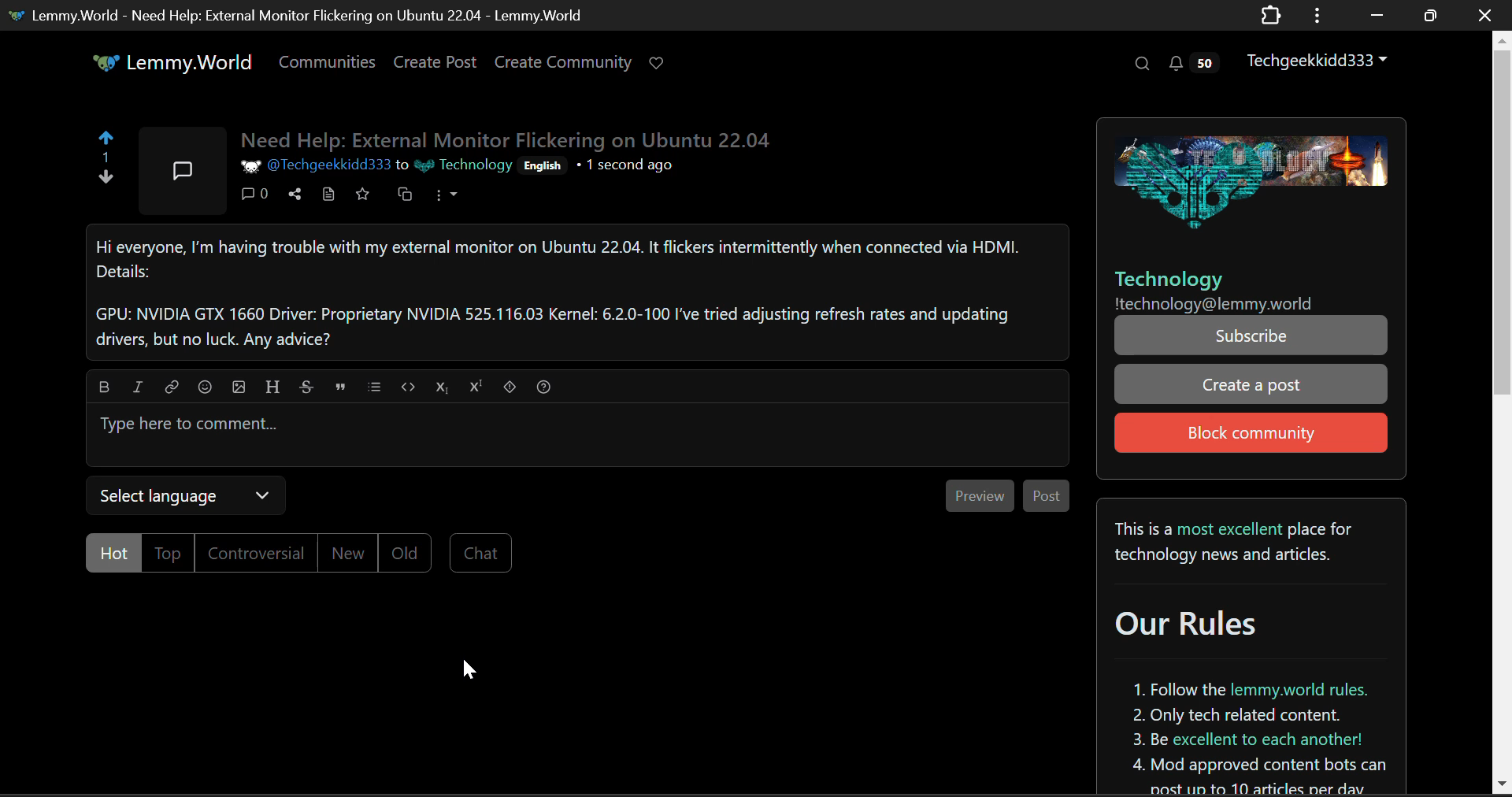 The image size is (1512, 797). Describe the element at coordinates (462, 166) in the screenshot. I see `Technology` at that location.